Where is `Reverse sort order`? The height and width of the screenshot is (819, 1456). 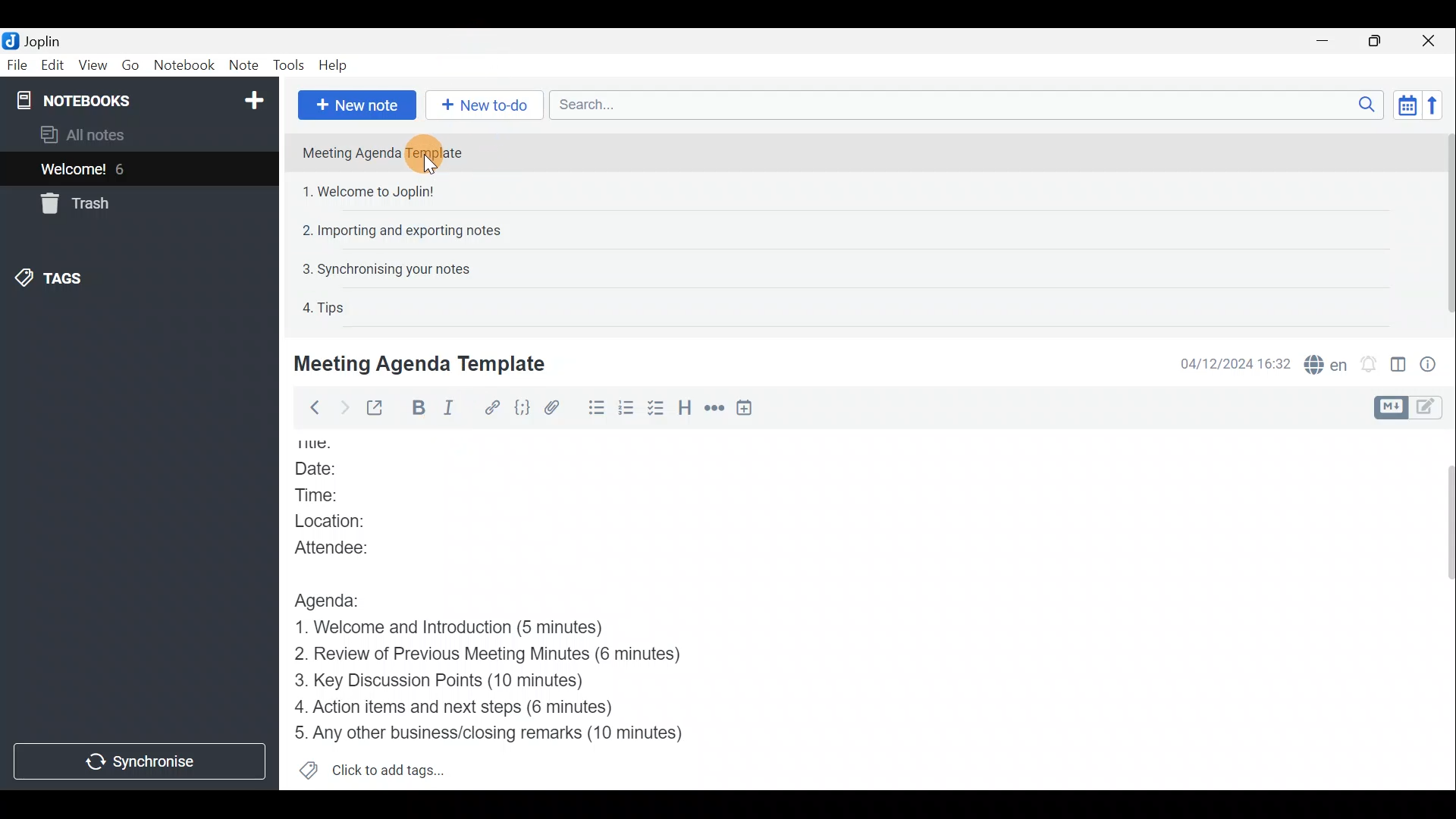
Reverse sort order is located at coordinates (1434, 105).